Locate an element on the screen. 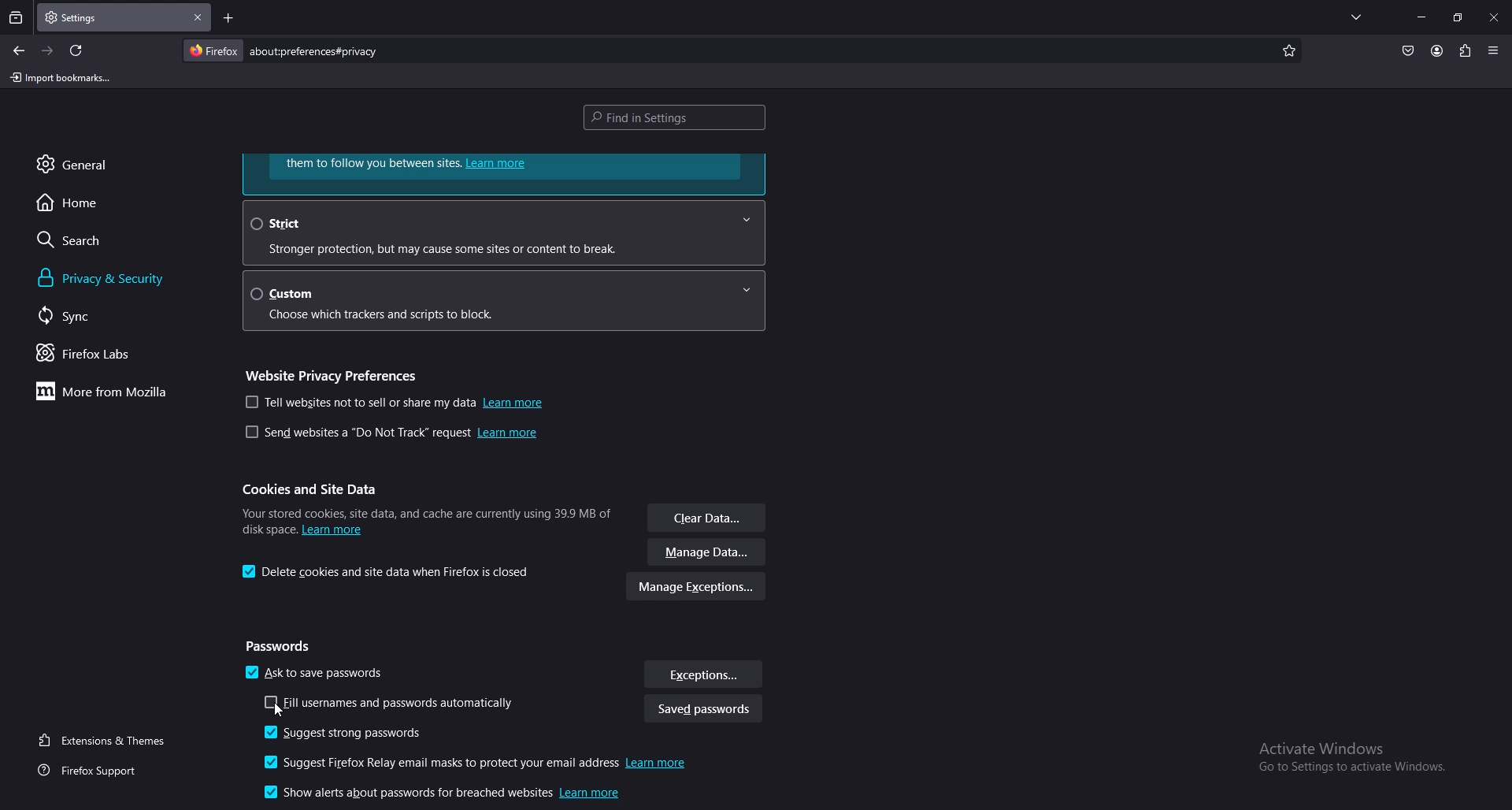  recent browsing is located at coordinates (16, 19).